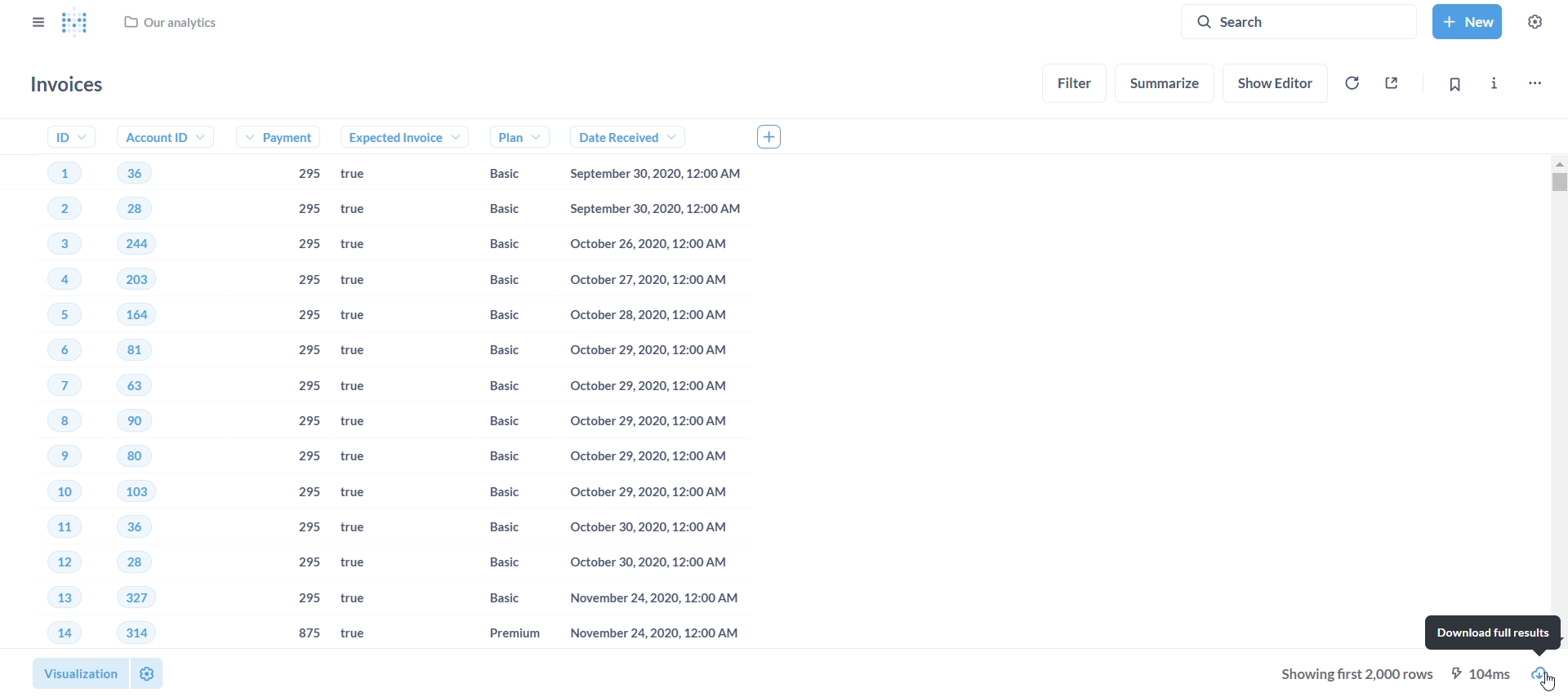 The width and height of the screenshot is (1568, 697). I want to click on show editor, so click(1279, 81).